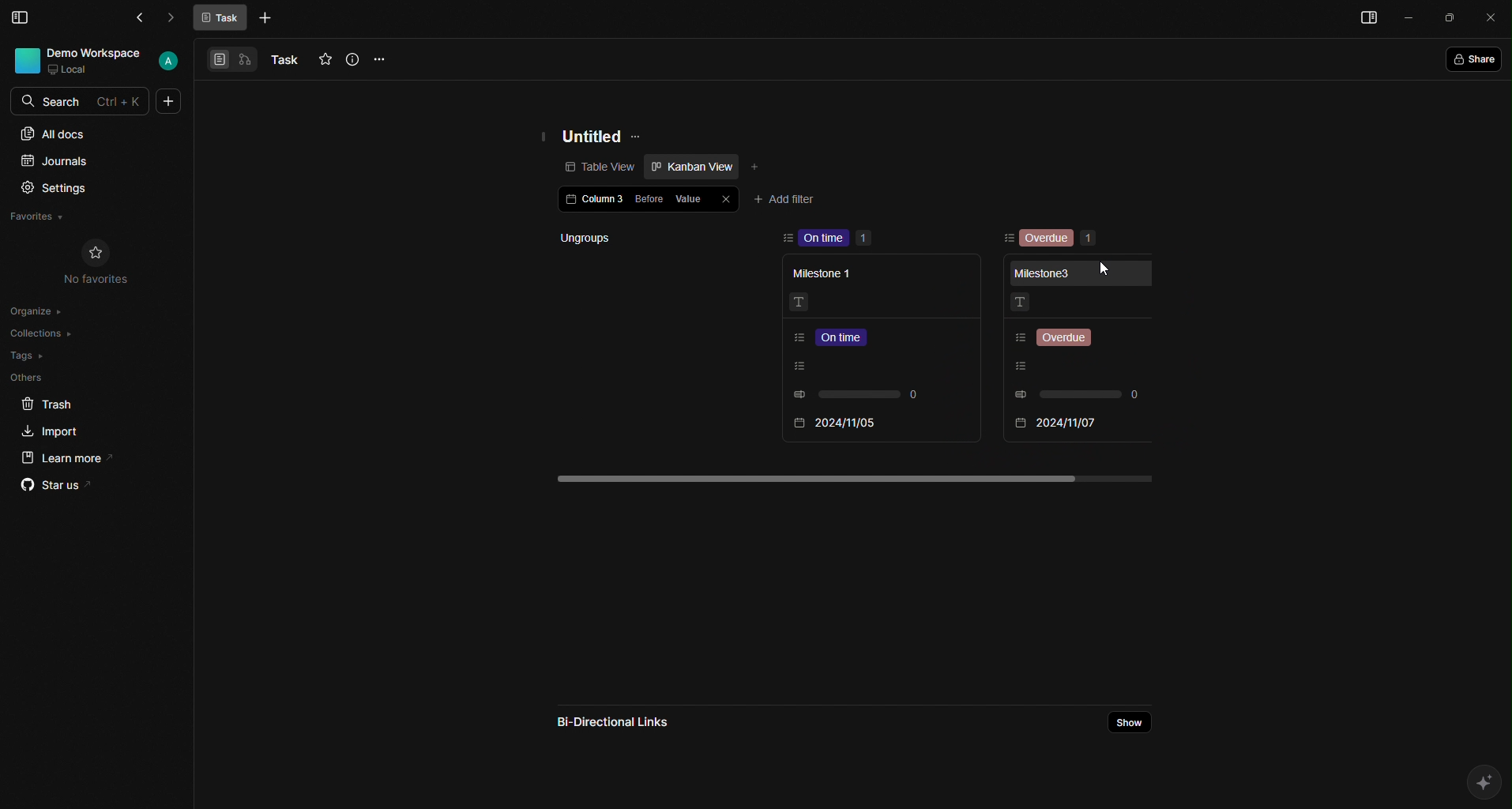  Describe the element at coordinates (758, 165) in the screenshot. I see `Add` at that location.